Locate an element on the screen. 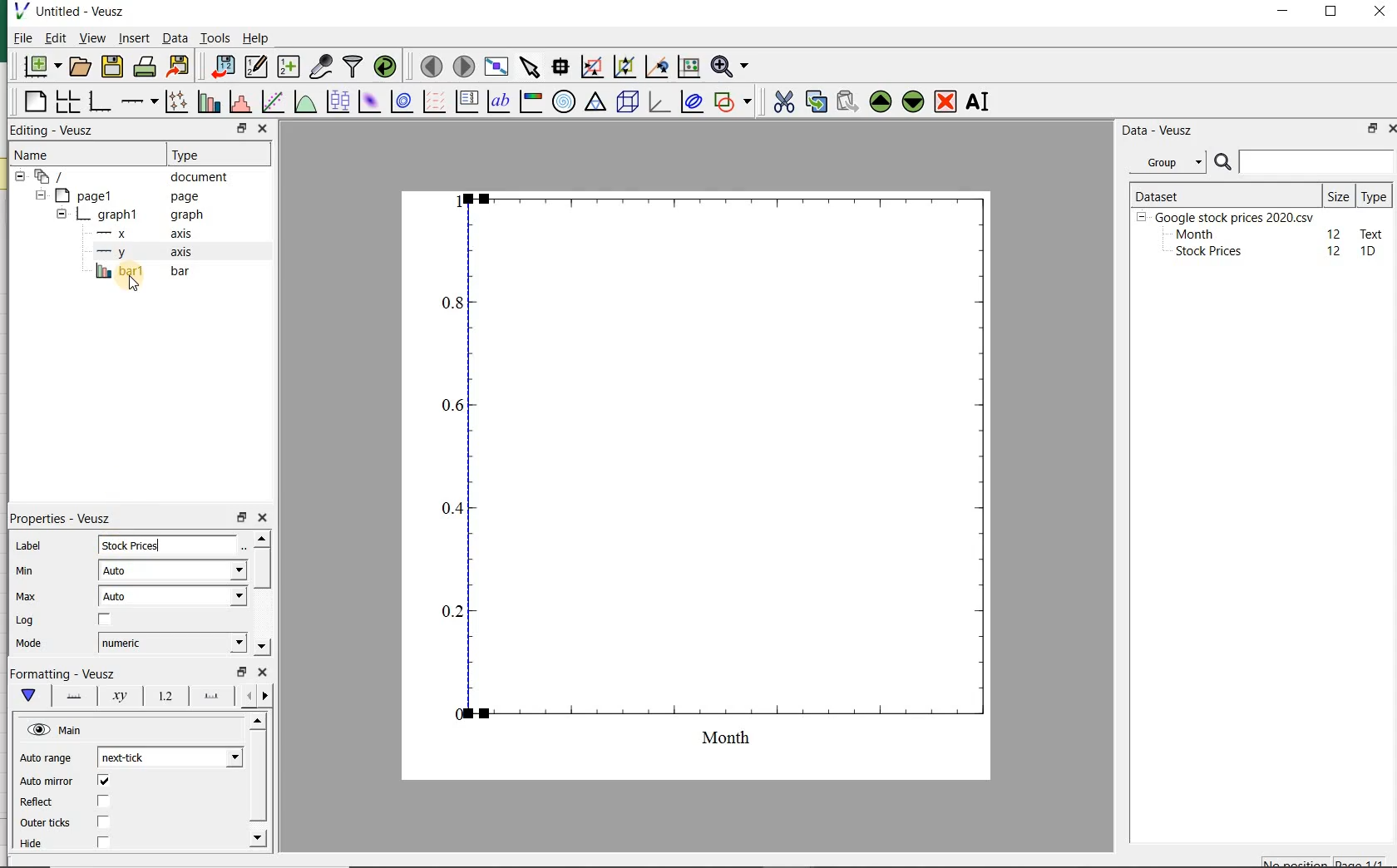 Image resolution: width=1397 pixels, height=868 pixels. plot points with lines and errorbars is located at coordinates (173, 103).